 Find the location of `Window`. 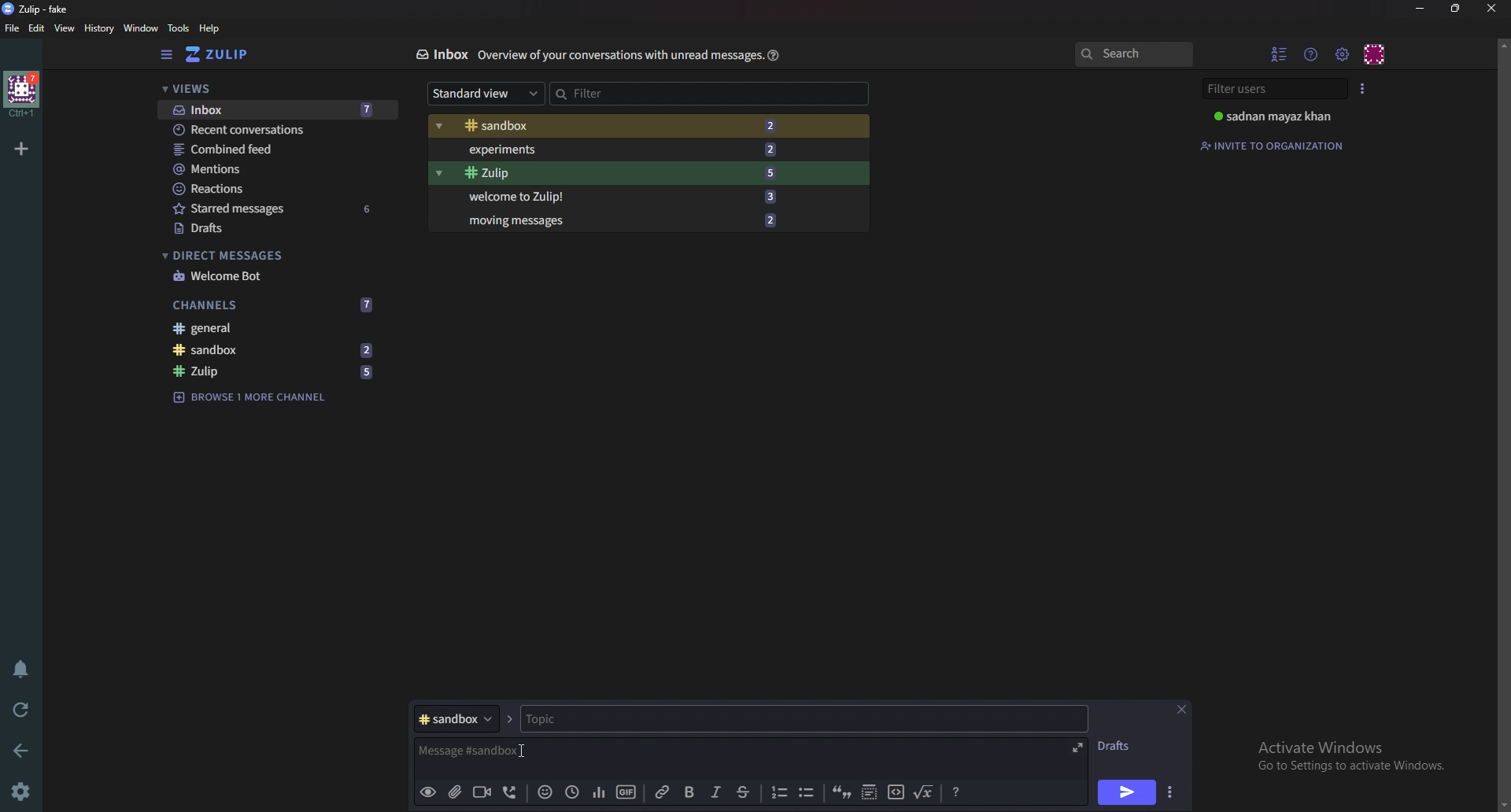

Window is located at coordinates (139, 28).